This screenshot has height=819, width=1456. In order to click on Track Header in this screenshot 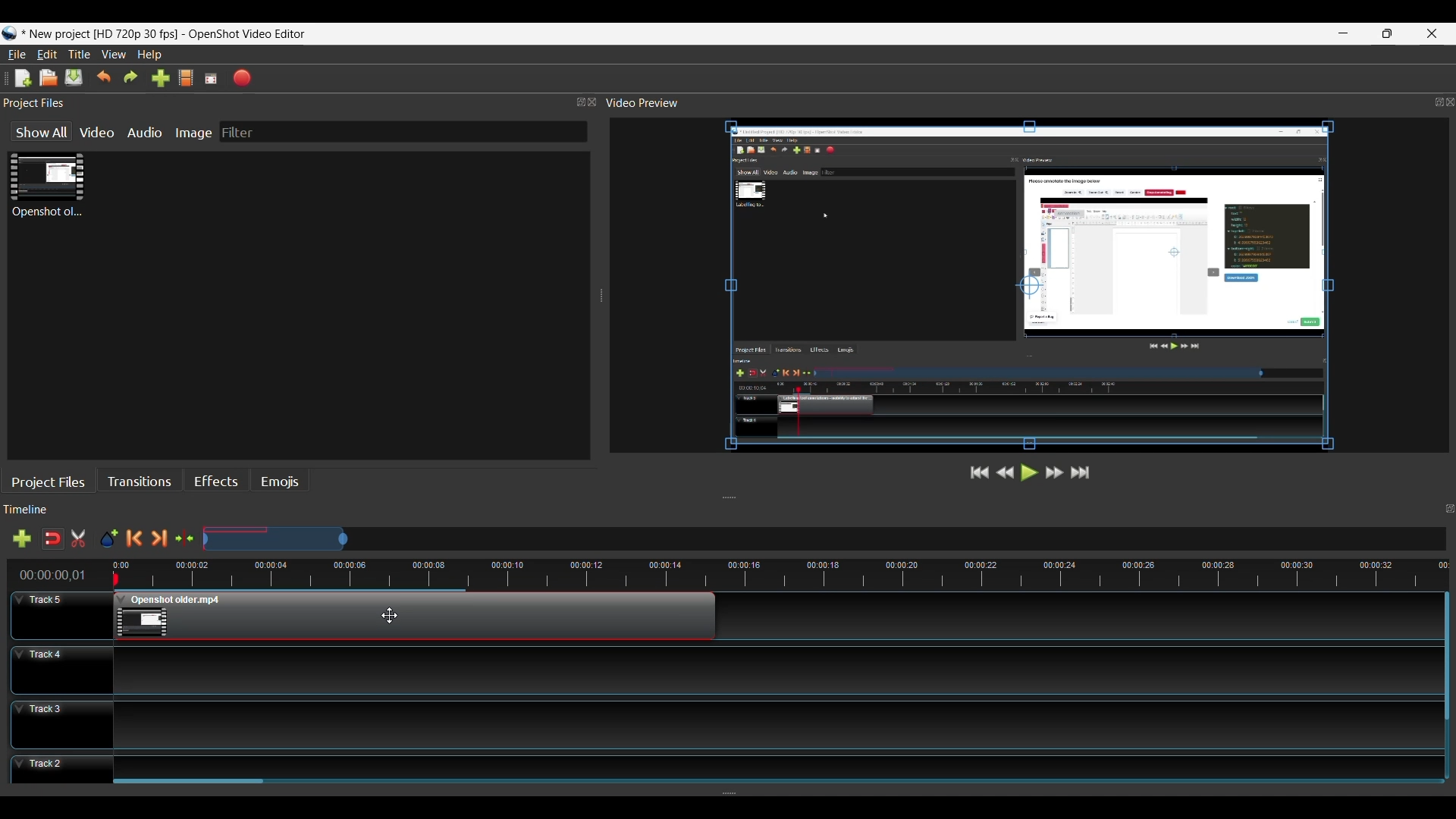, I will do `click(63, 723)`.